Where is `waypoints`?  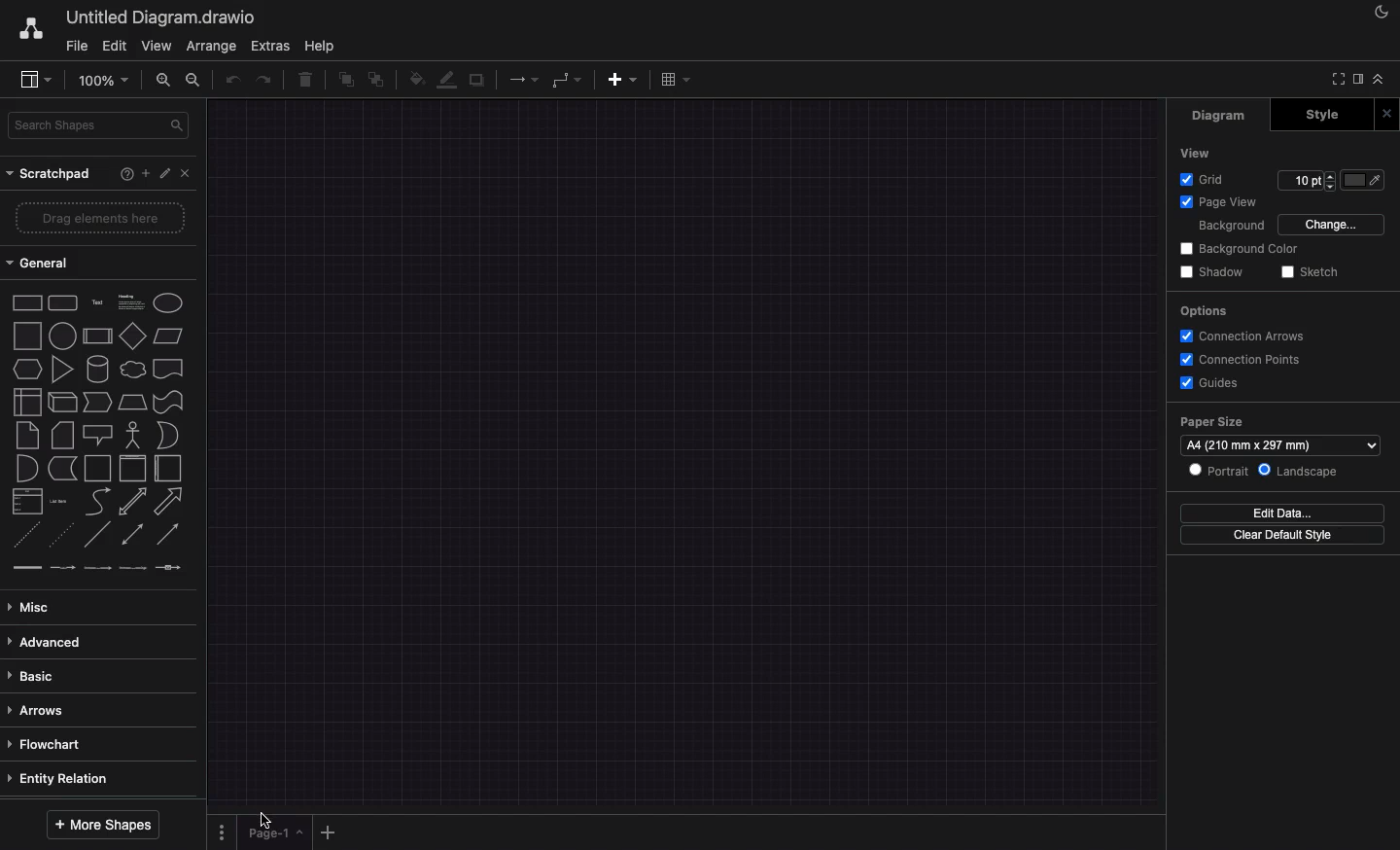 waypoints is located at coordinates (570, 79).